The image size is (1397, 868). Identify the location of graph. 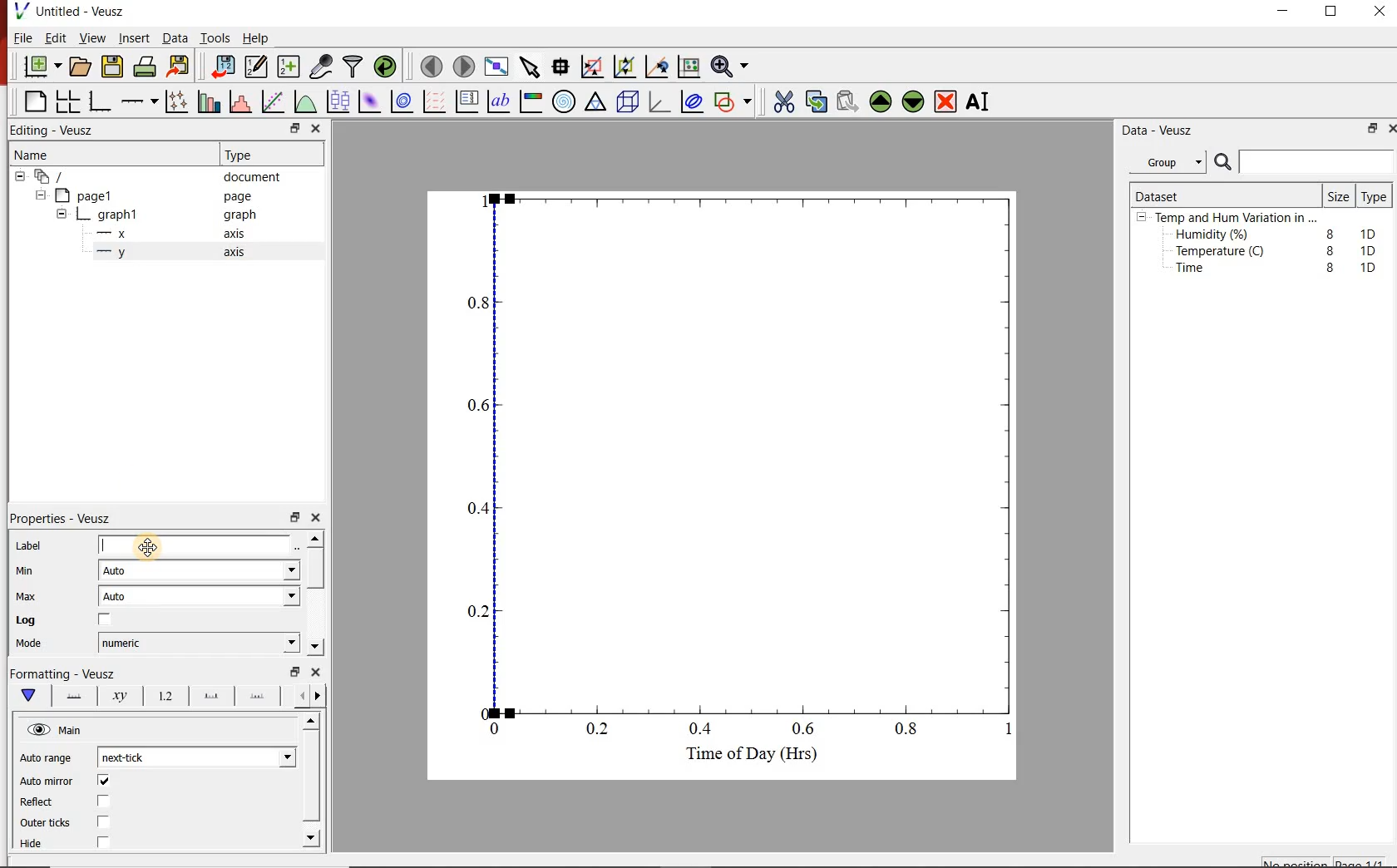
(239, 216).